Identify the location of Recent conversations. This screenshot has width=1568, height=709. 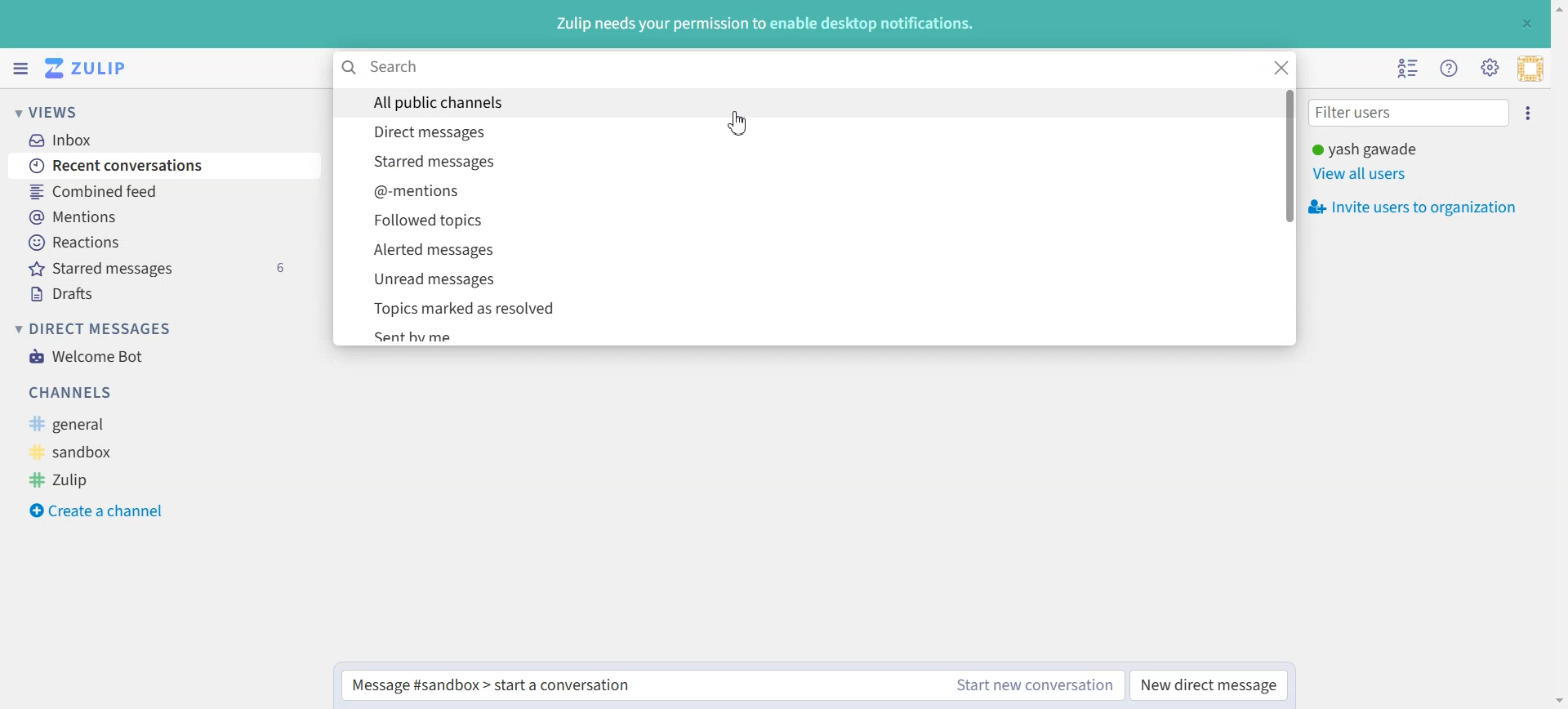
(163, 166).